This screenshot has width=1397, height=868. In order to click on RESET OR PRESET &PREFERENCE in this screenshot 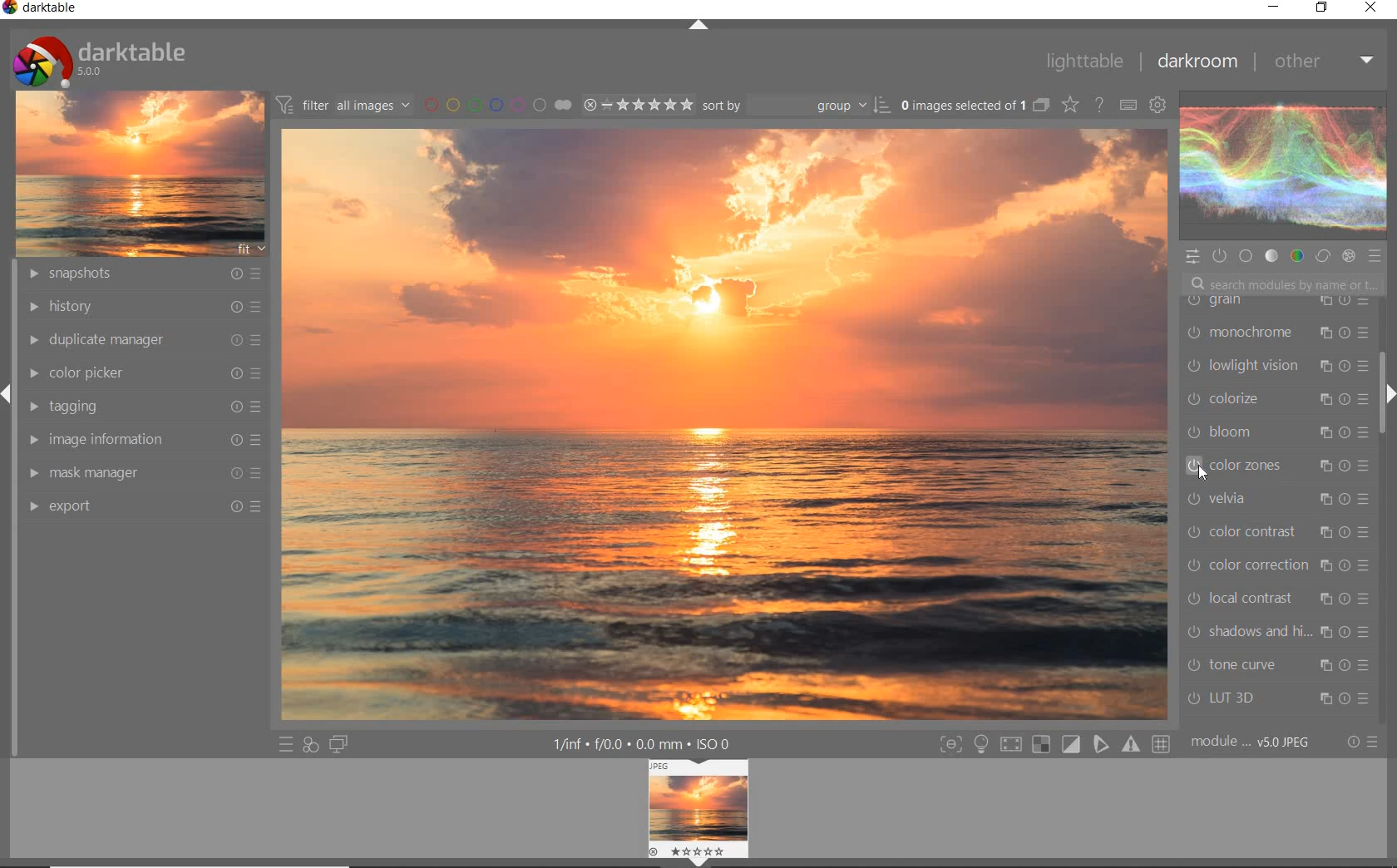, I will do `click(1363, 742)`.